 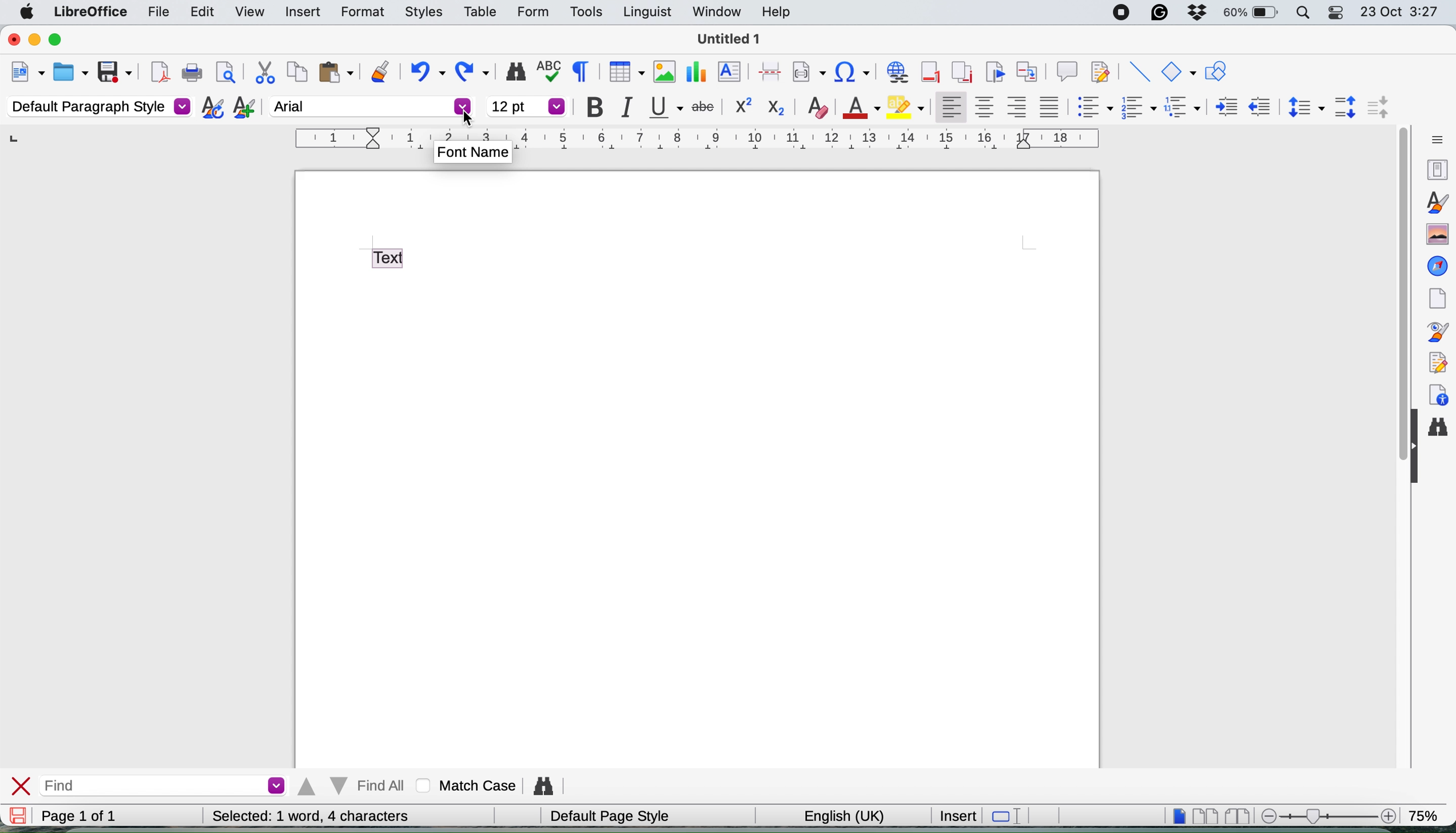 I want to click on page 1 of 1, so click(x=77, y=816).